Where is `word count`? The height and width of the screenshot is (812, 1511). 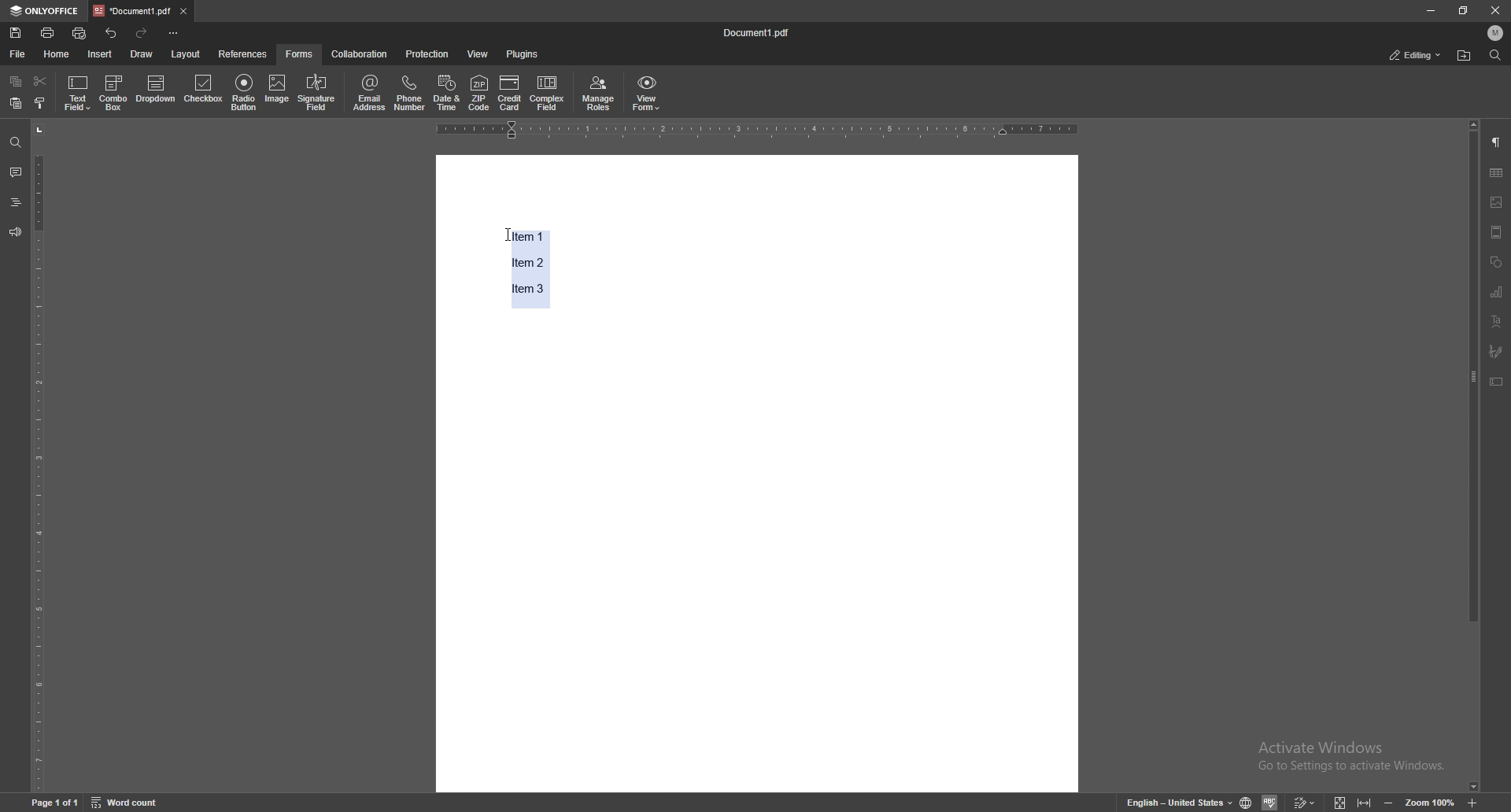 word count is located at coordinates (125, 802).